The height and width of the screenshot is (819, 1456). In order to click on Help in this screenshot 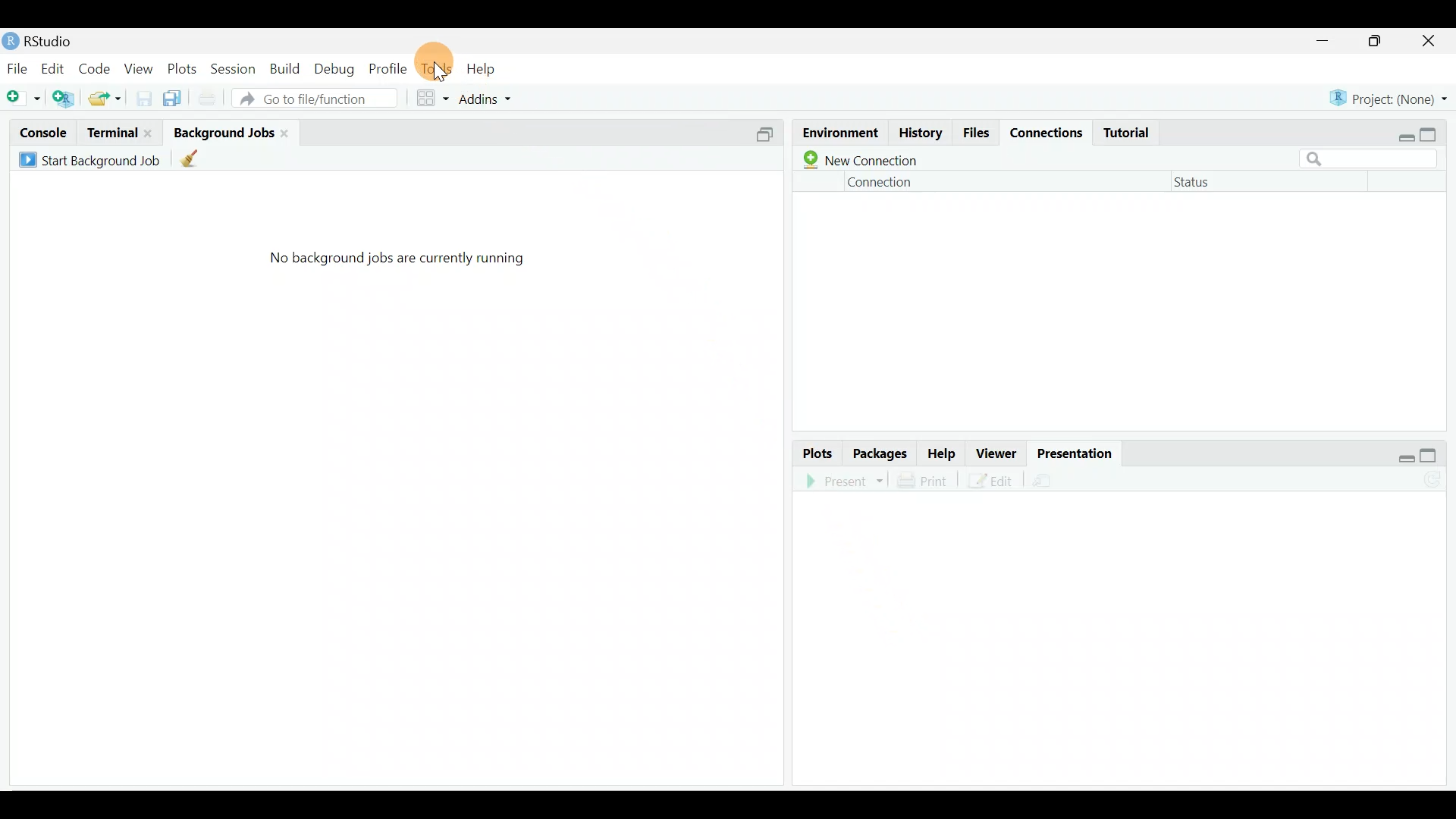, I will do `click(942, 452)`.